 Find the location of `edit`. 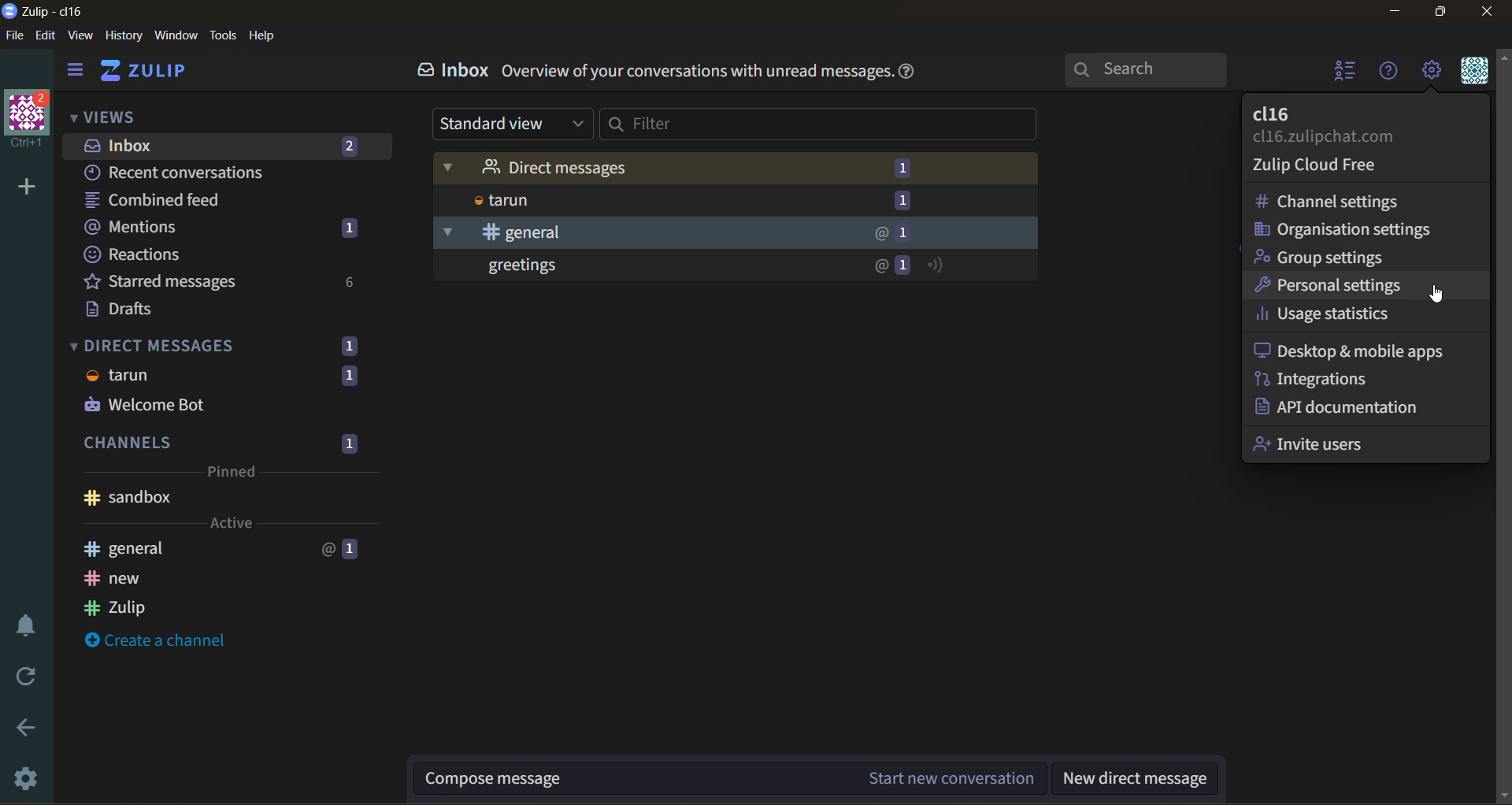

edit is located at coordinates (46, 36).